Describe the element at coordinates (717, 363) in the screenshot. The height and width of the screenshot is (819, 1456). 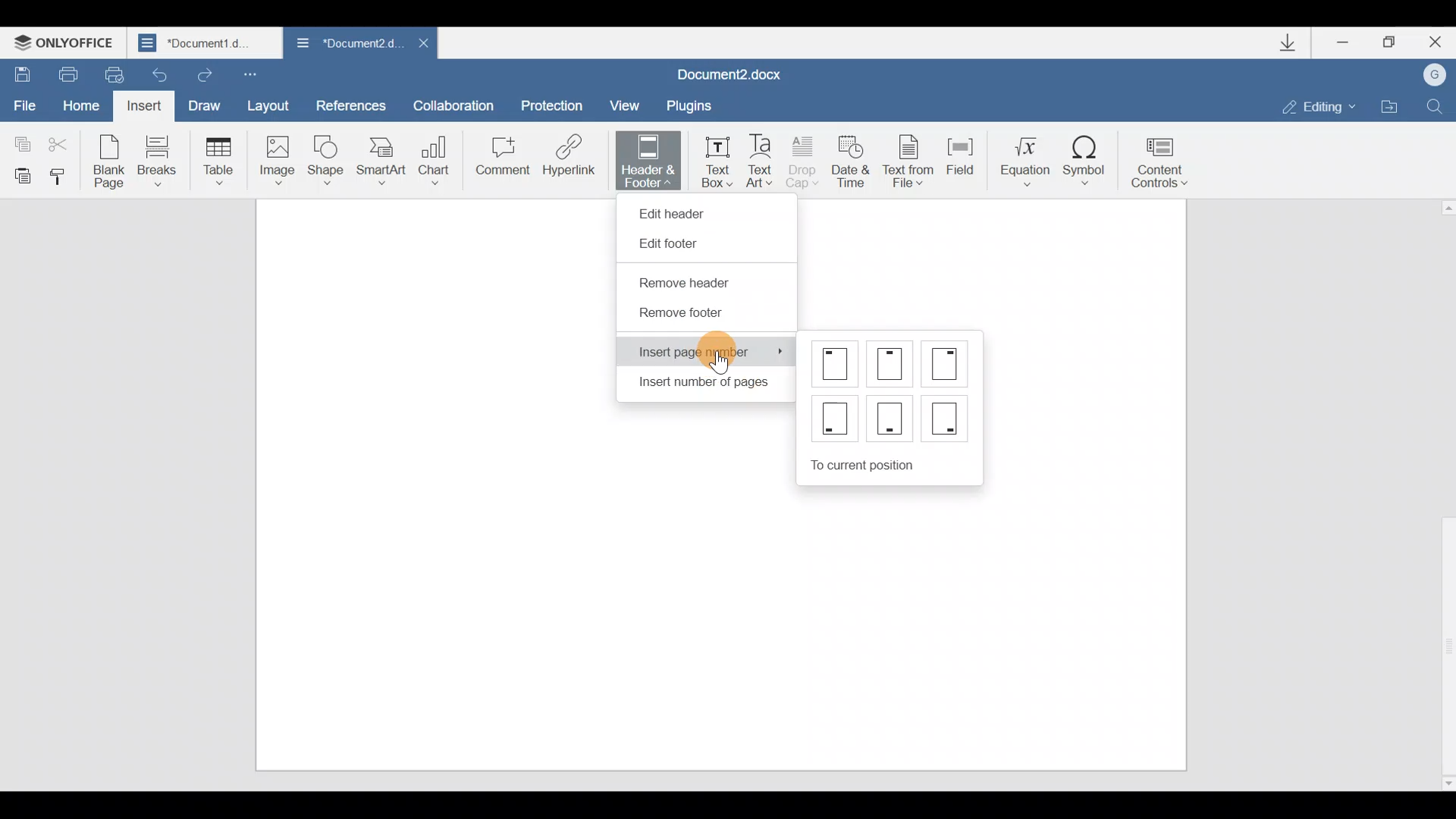
I see `pointer cursor` at that location.